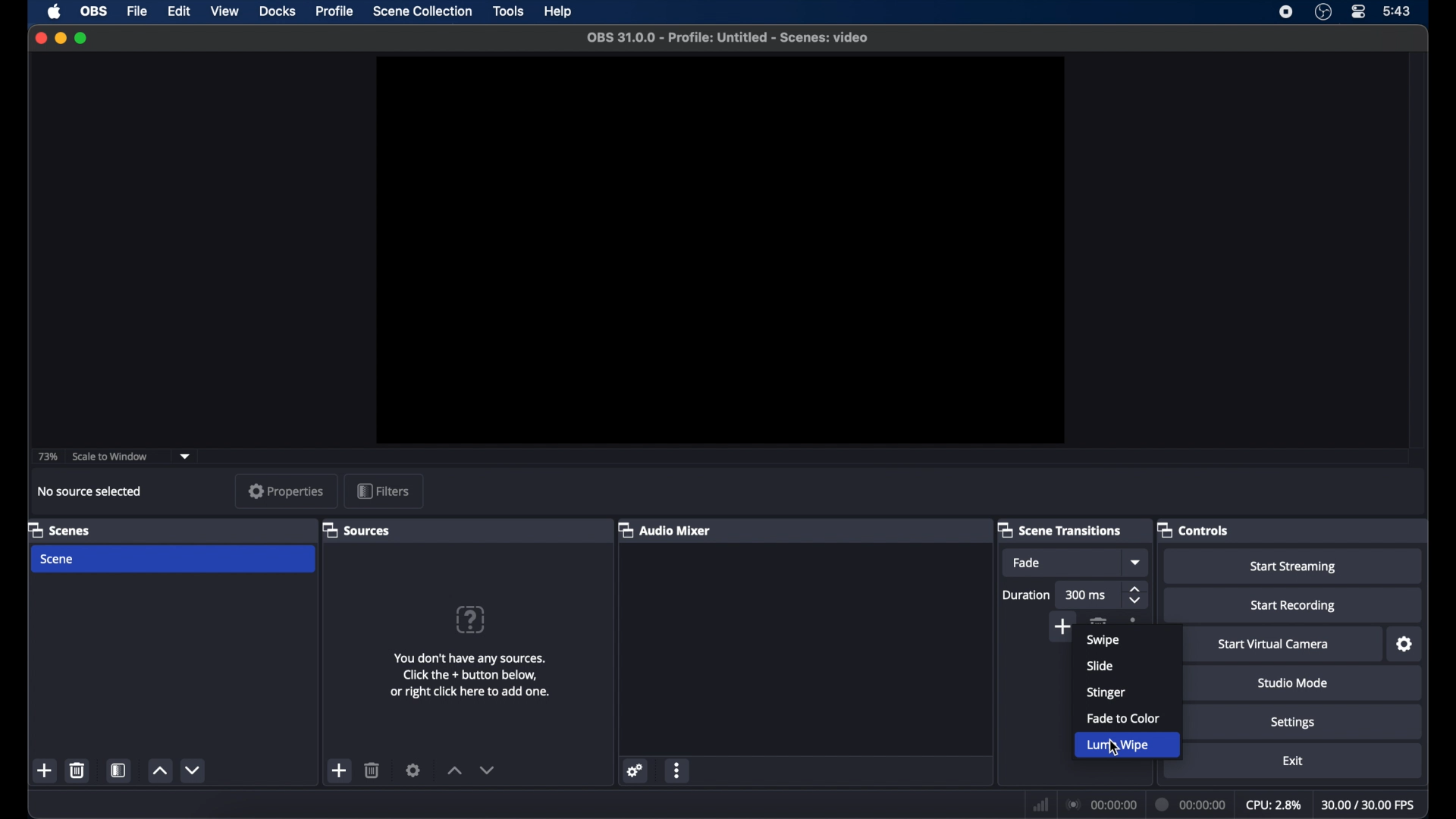 The width and height of the screenshot is (1456, 819). What do you see at coordinates (187, 455) in the screenshot?
I see `dropdown` at bounding box center [187, 455].